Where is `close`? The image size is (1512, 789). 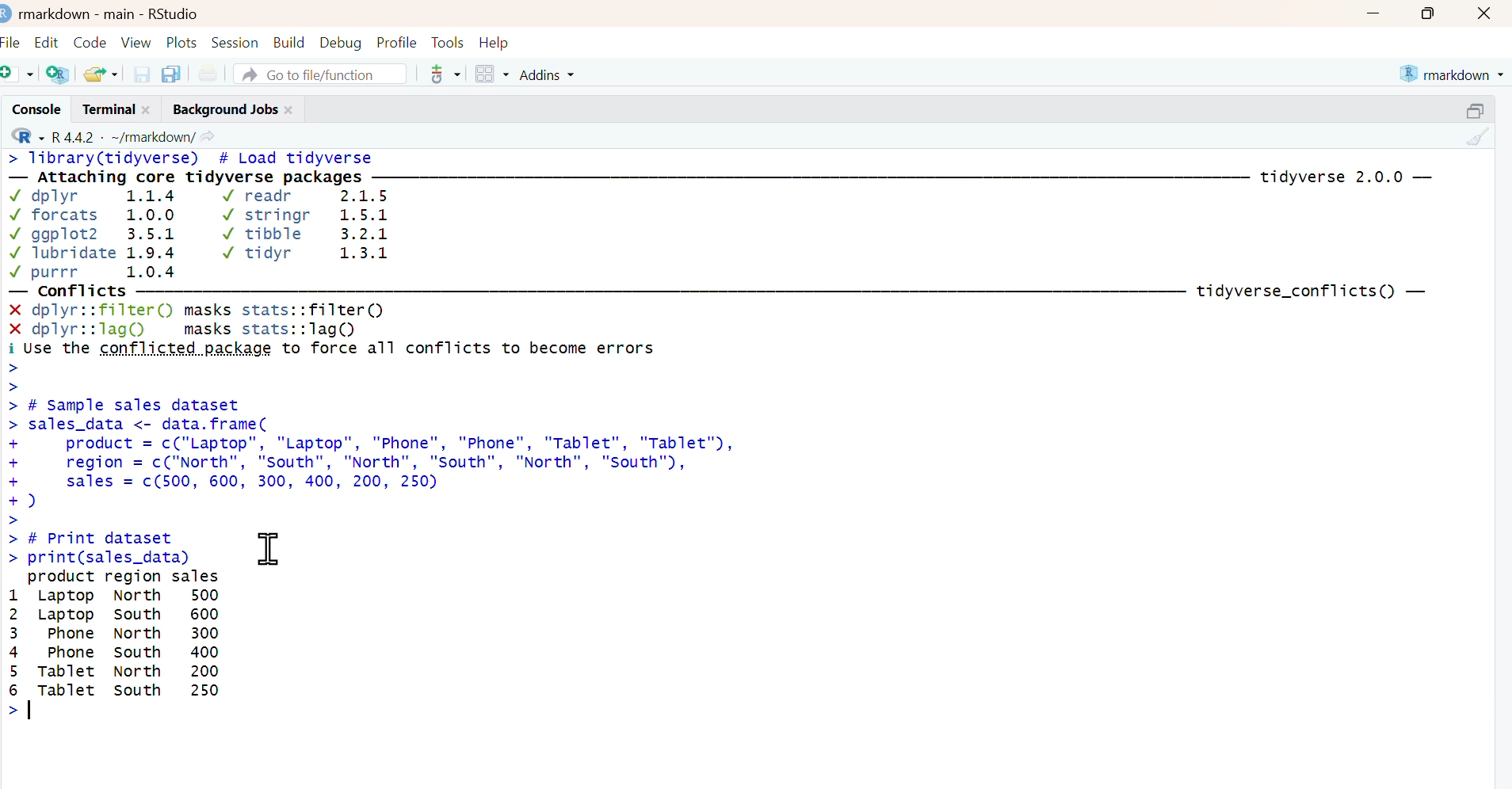
close is located at coordinates (151, 109).